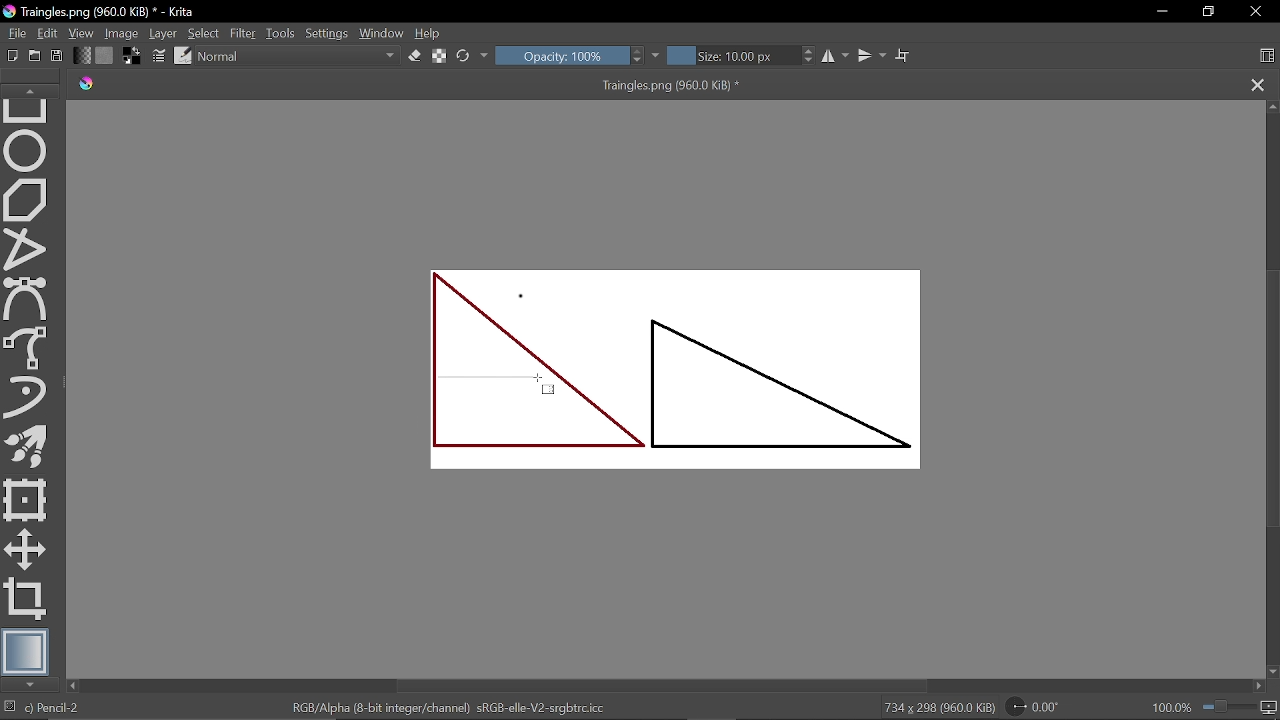  I want to click on Save, so click(59, 56).